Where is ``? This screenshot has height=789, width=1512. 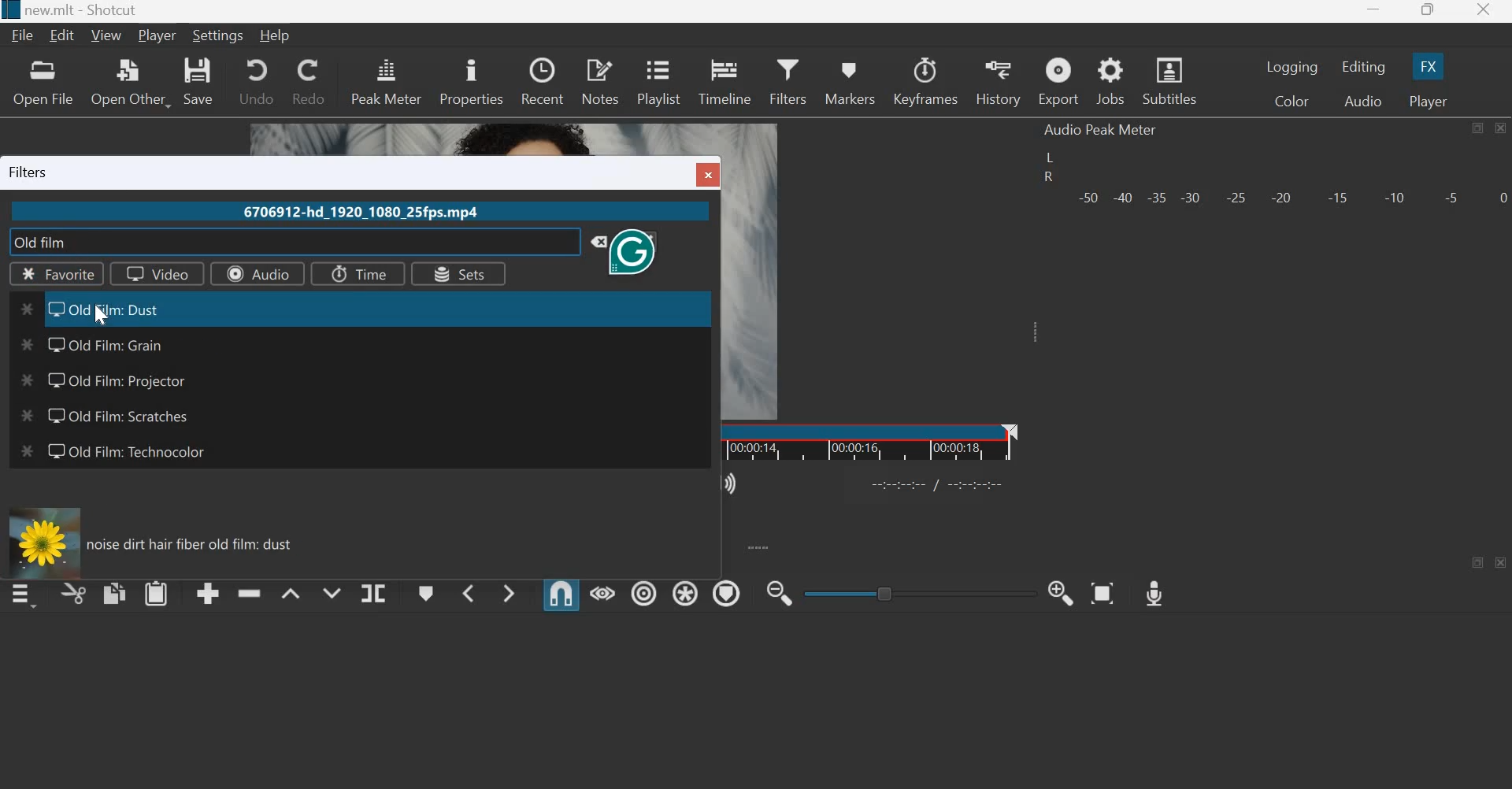
 is located at coordinates (9, 10).